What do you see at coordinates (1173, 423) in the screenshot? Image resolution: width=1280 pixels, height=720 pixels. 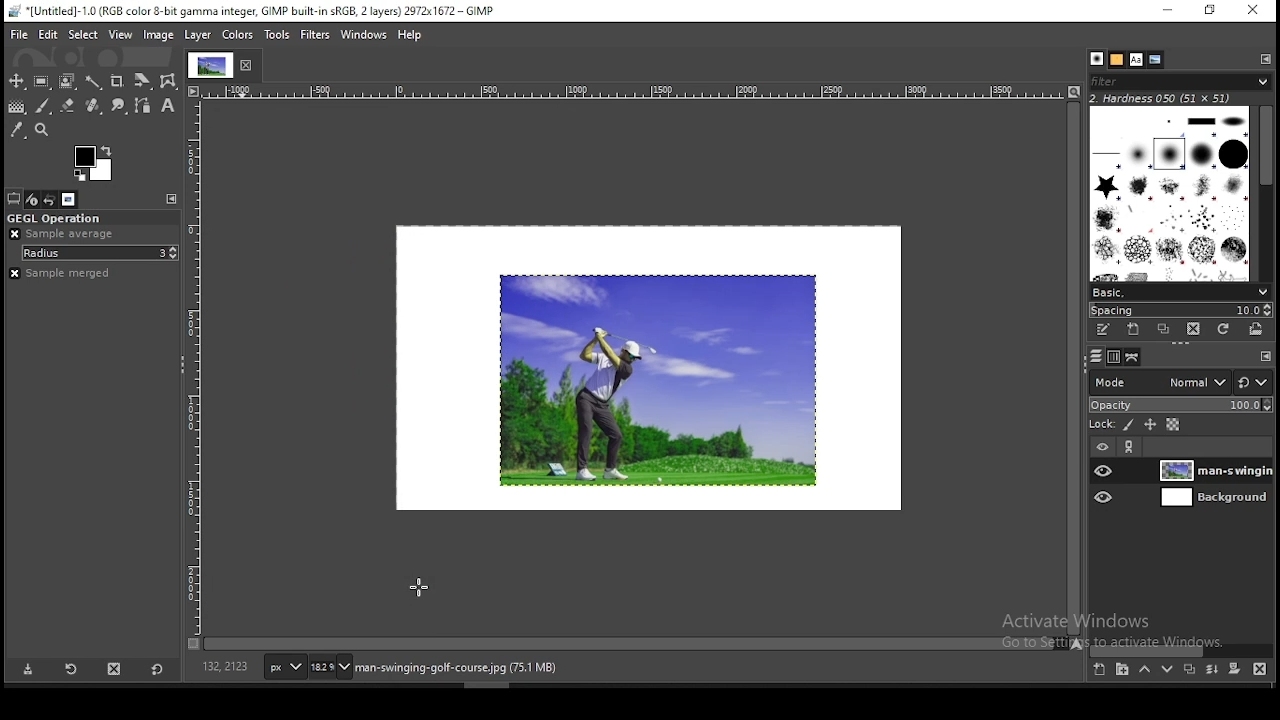 I see `lock alpha channel` at bounding box center [1173, 423].